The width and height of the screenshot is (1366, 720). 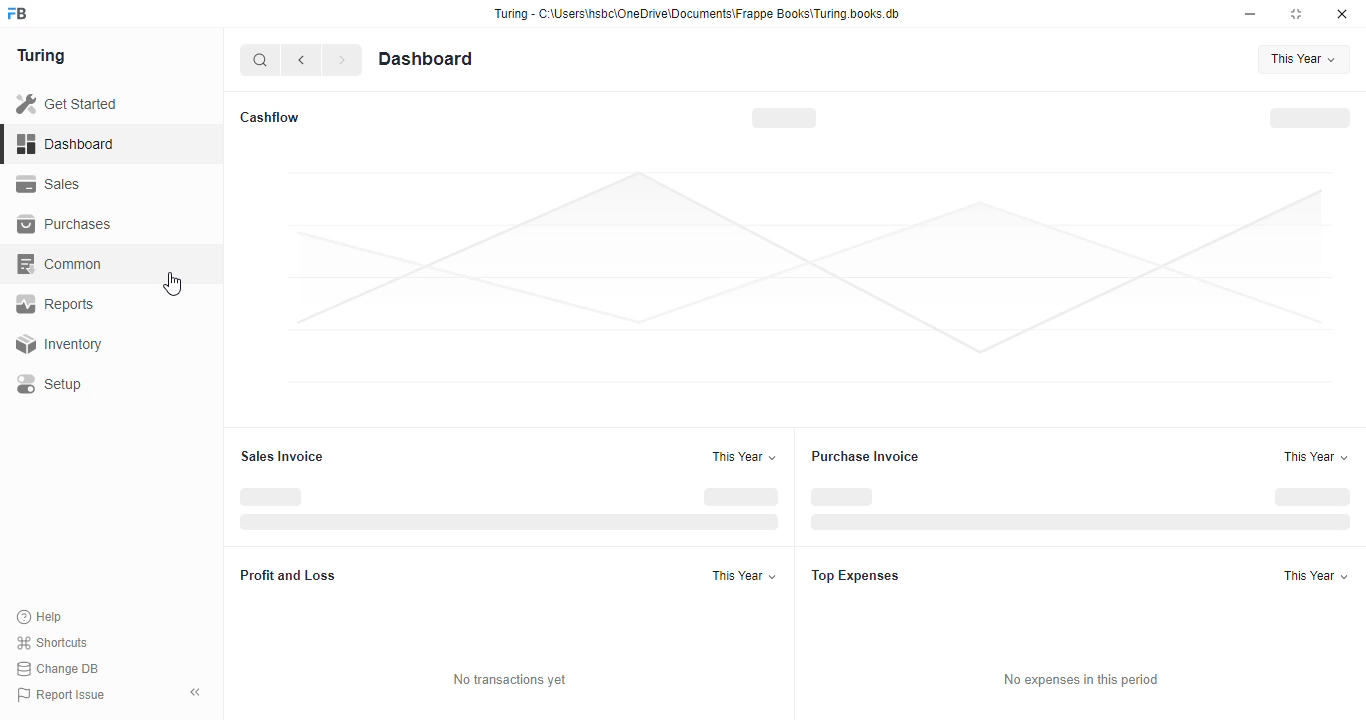 I want to click on turing, so click(x=42, y=57).